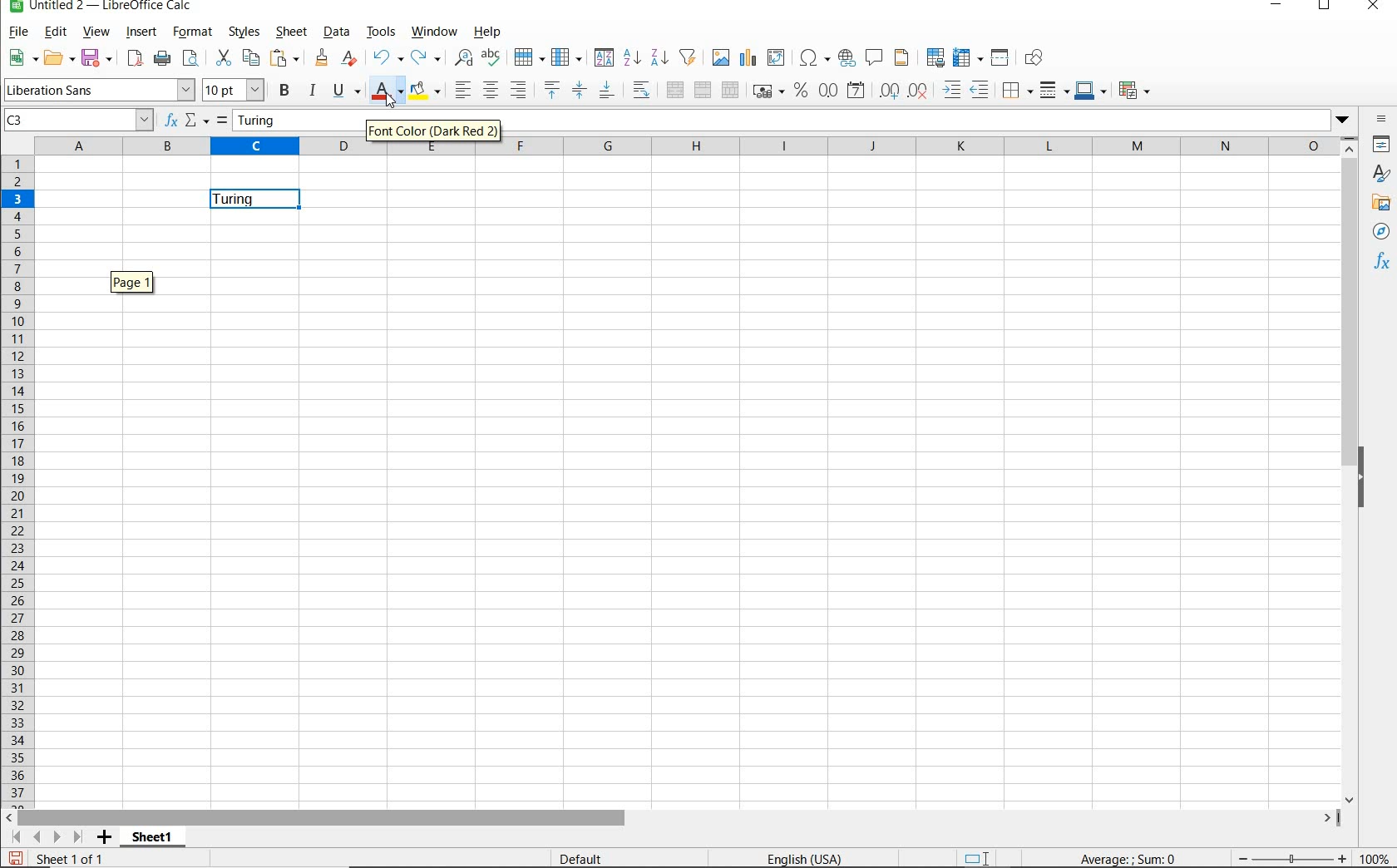 The image size is (1397, 868). I want to click on CUT, so click(224, 57).